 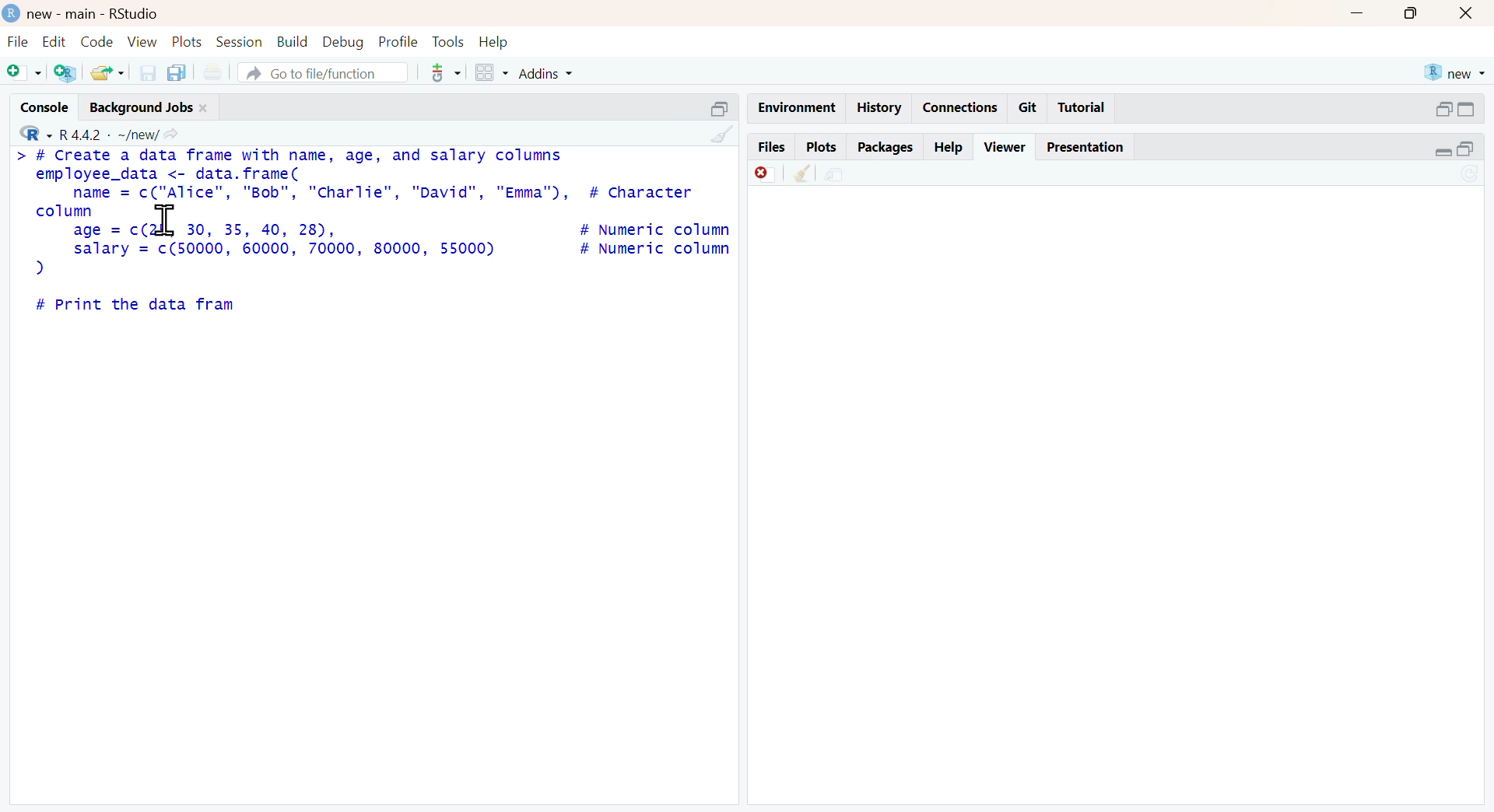 What do you see at coordinates (186, 42) in the screenshot?
I see `Plots` at bounding box center [186, 42].